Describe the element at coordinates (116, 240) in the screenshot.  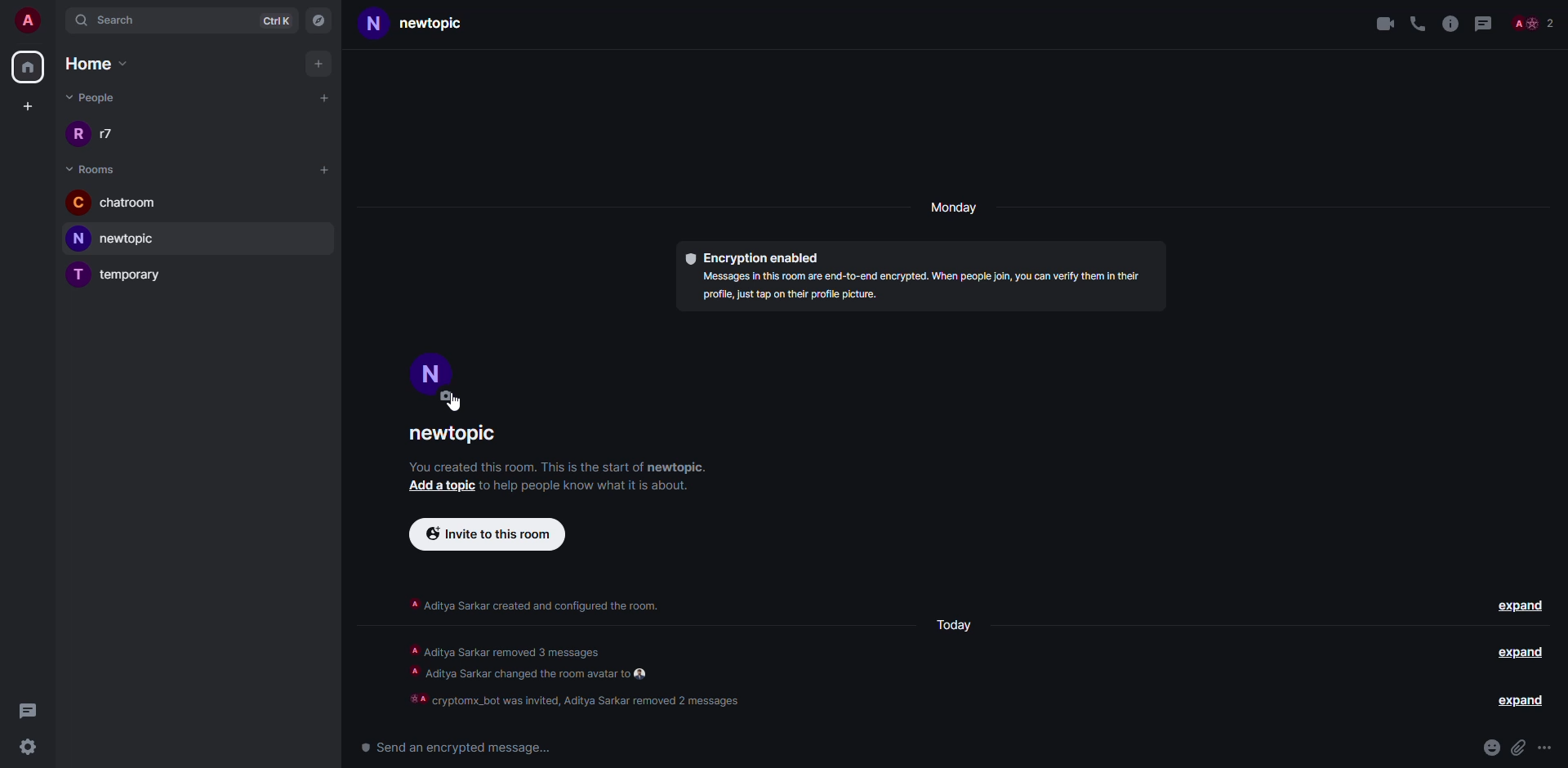
I see `new topic` at that location.